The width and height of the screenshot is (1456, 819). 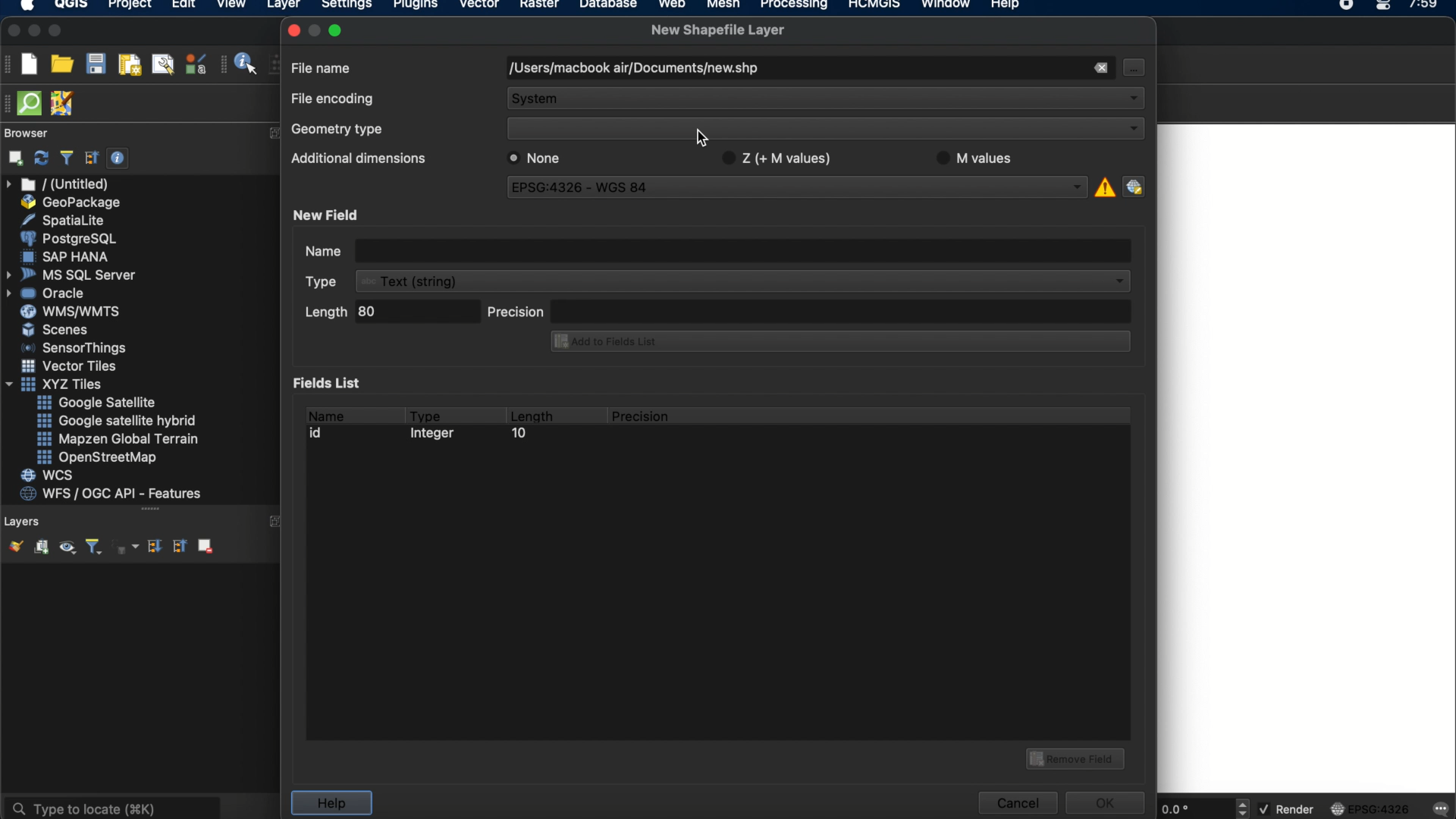 I want to click on vector files, so click(x=71, y=366).